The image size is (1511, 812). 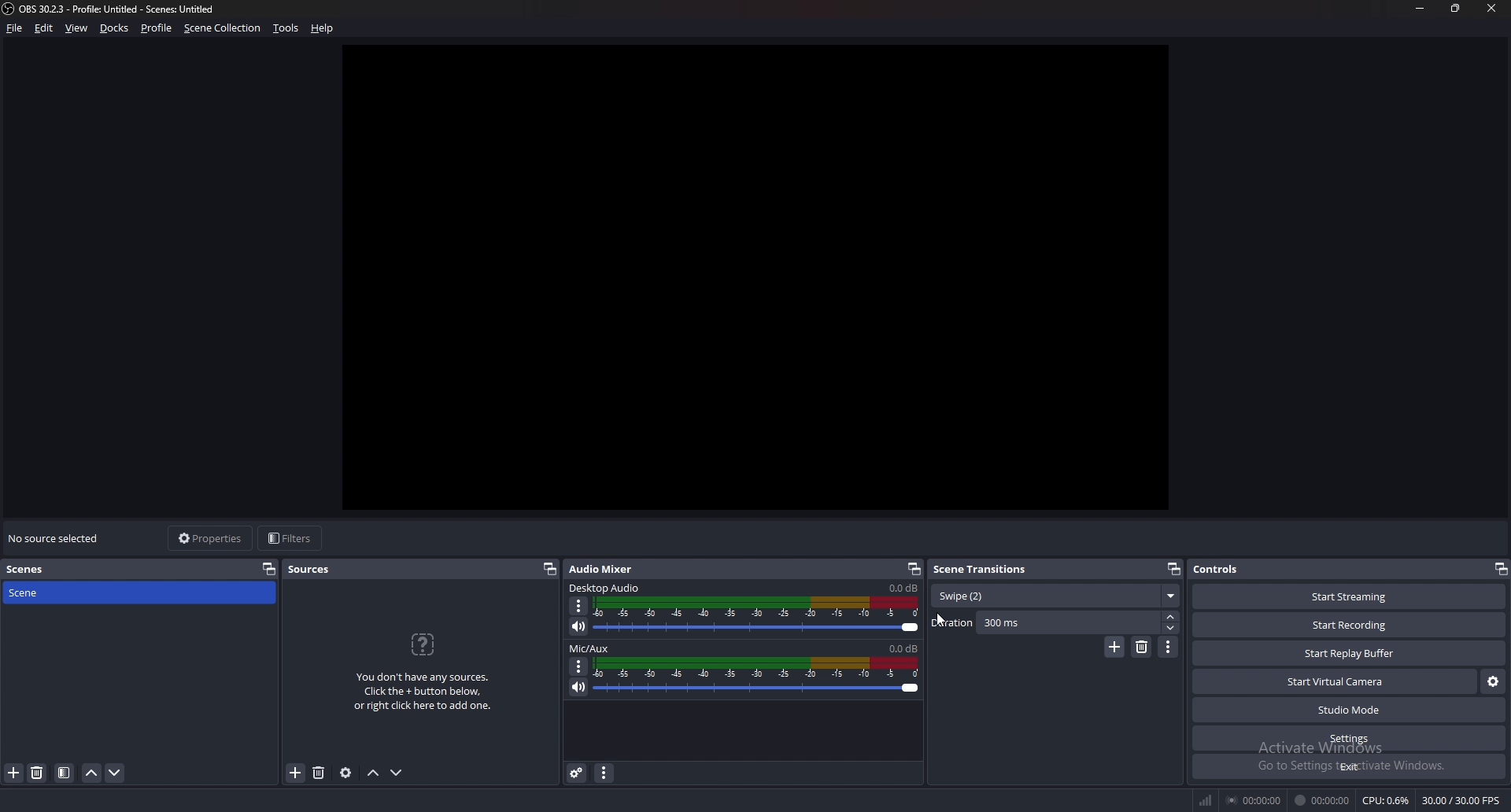 What do you see at coordinates (310, 570) in the screenshot?
I see `sources` at bounding box center [310, 570].